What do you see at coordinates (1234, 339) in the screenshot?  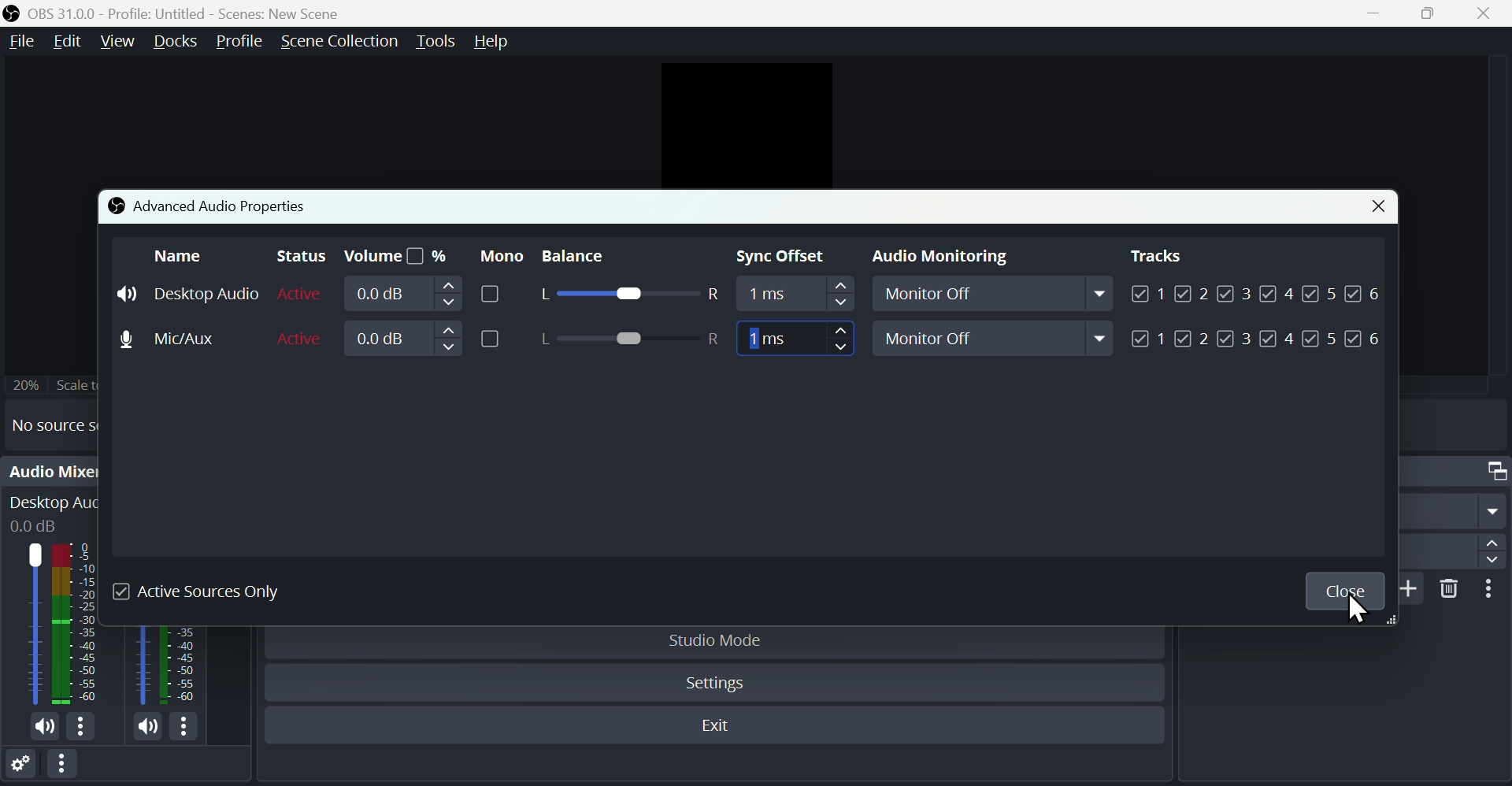 I see `(un)check Track 3` at bounding box center [1234, 339].